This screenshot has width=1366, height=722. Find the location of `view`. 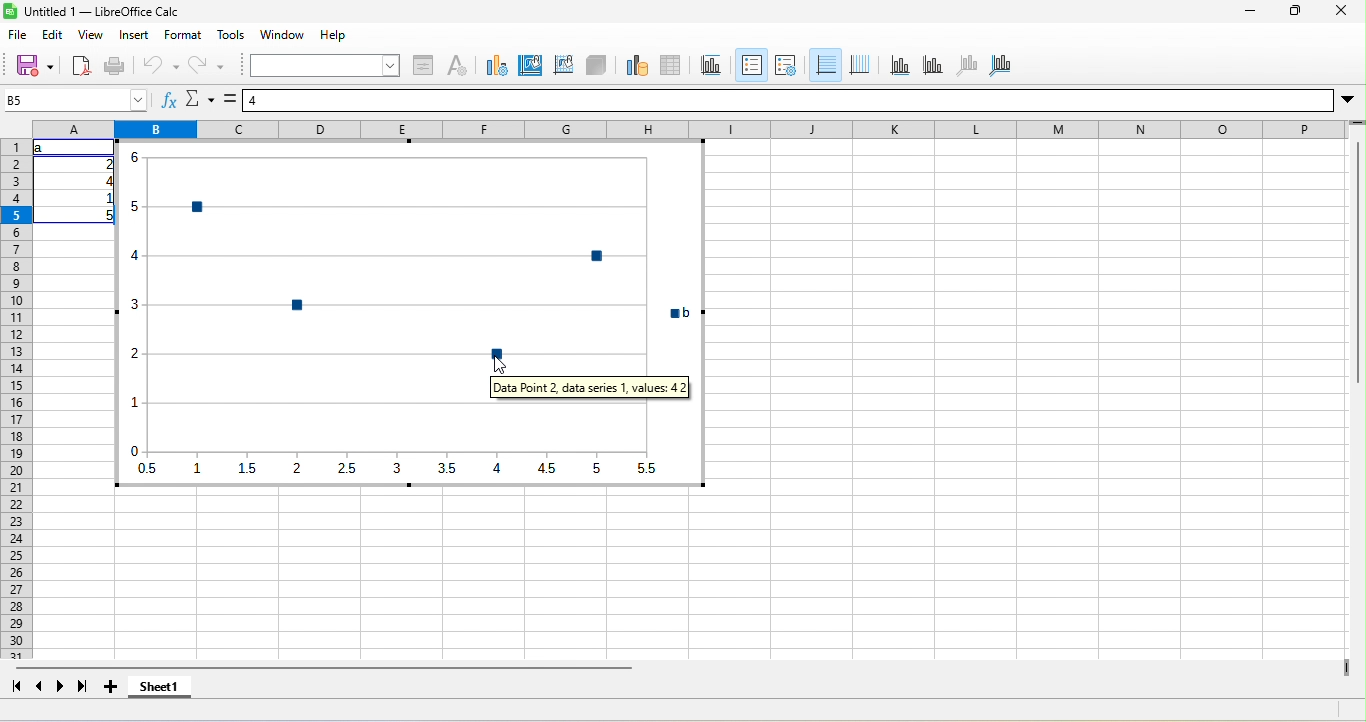

view is located at coordinates (91, 35).